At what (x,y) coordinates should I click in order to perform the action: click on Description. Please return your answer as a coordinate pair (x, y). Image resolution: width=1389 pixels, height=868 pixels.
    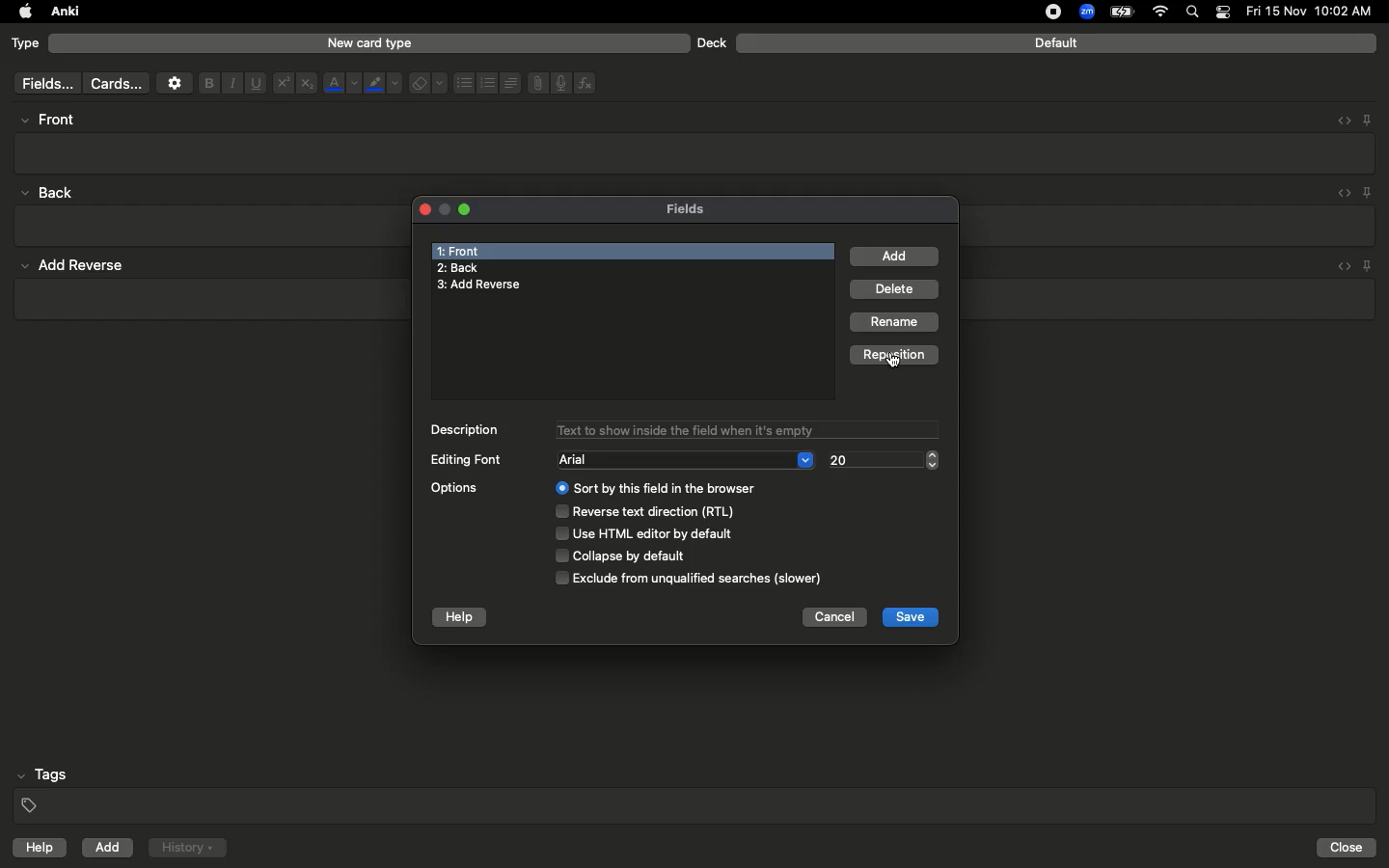
    Looking at the image, I should click on (469, 431).